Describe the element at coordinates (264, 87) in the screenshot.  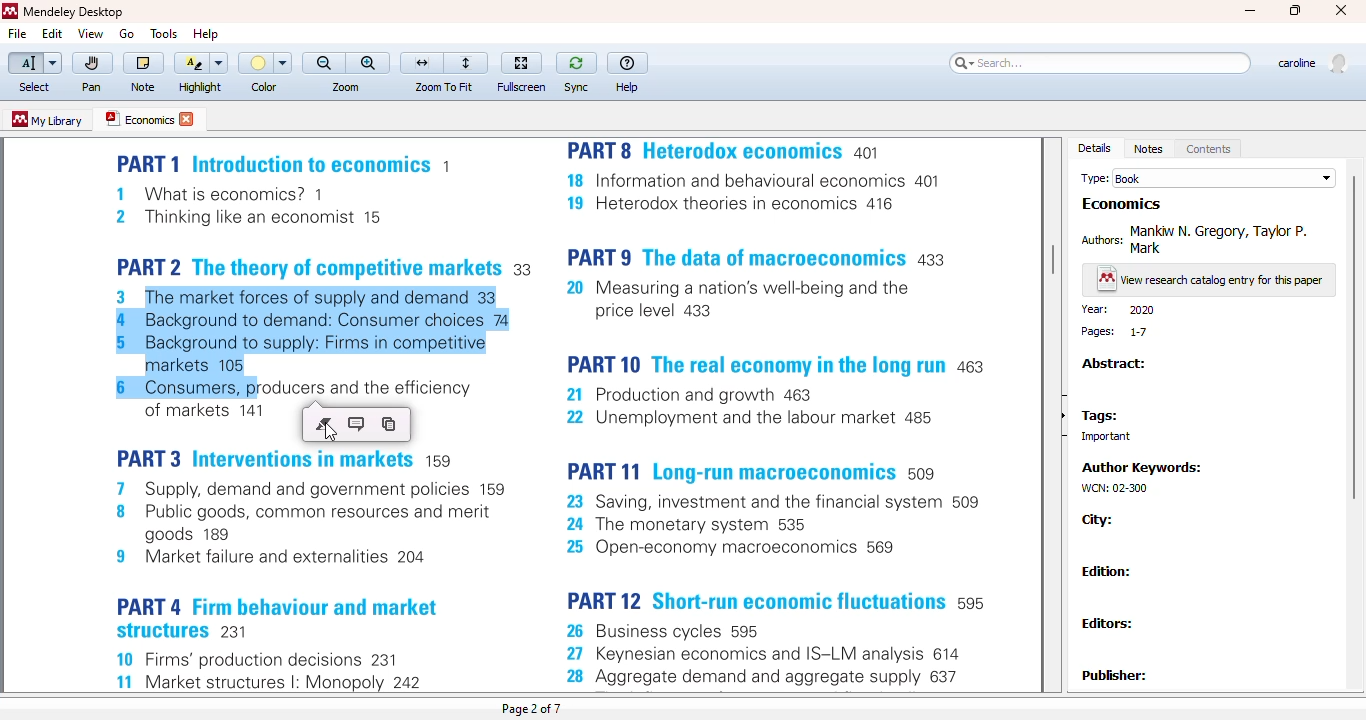
I see `color` at that location.